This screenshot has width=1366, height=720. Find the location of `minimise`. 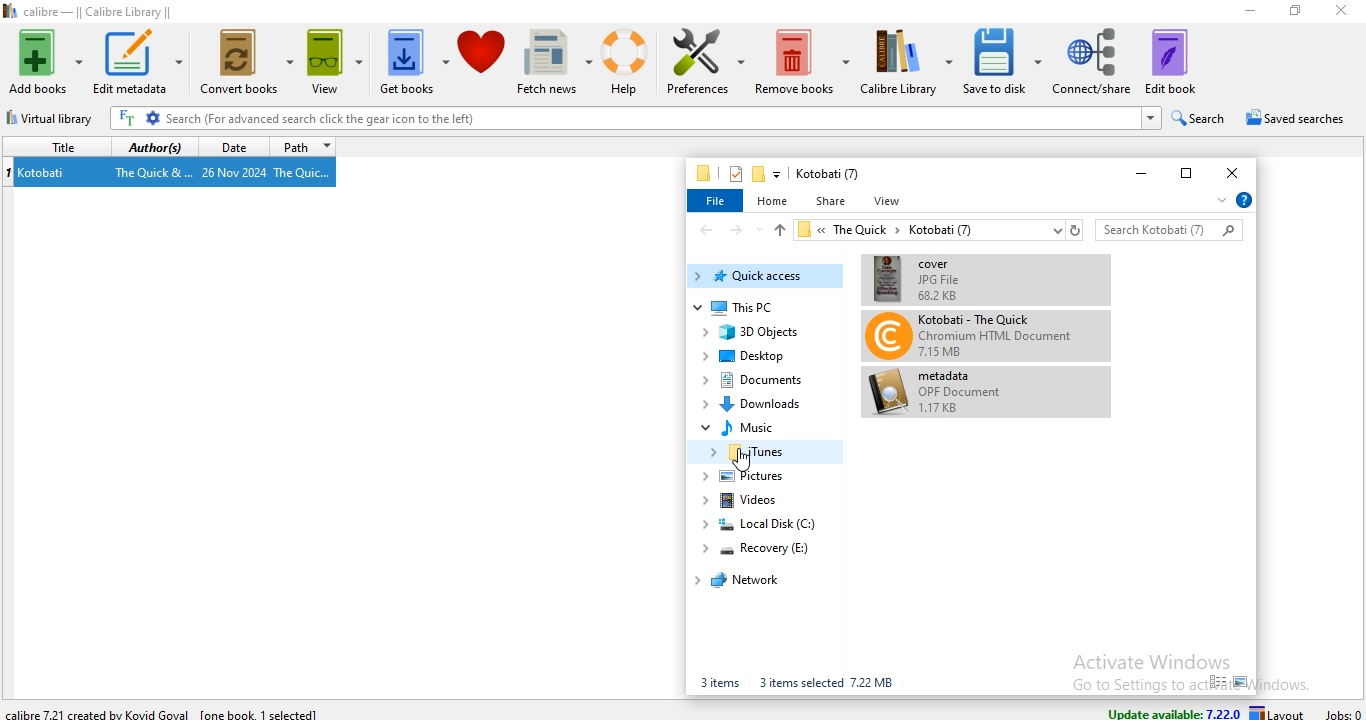

minimise is located at coordinates (1135, 175).